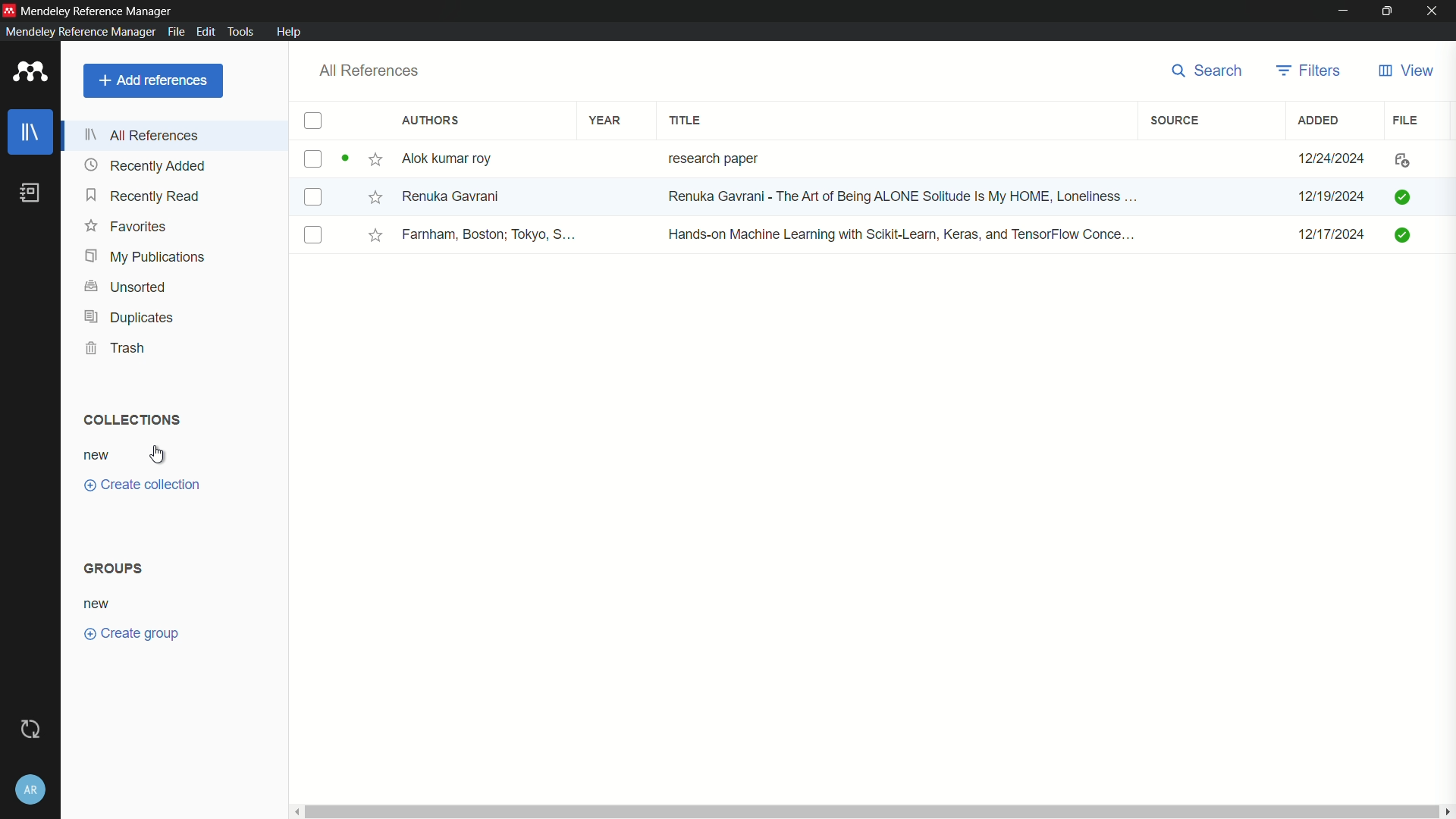 Image resolution: width=1456 pixels, height=819 pixels. What do you see at coordinates (174, 32) in the screenshot?
I see `file menu` at bounding box center [174, 32].